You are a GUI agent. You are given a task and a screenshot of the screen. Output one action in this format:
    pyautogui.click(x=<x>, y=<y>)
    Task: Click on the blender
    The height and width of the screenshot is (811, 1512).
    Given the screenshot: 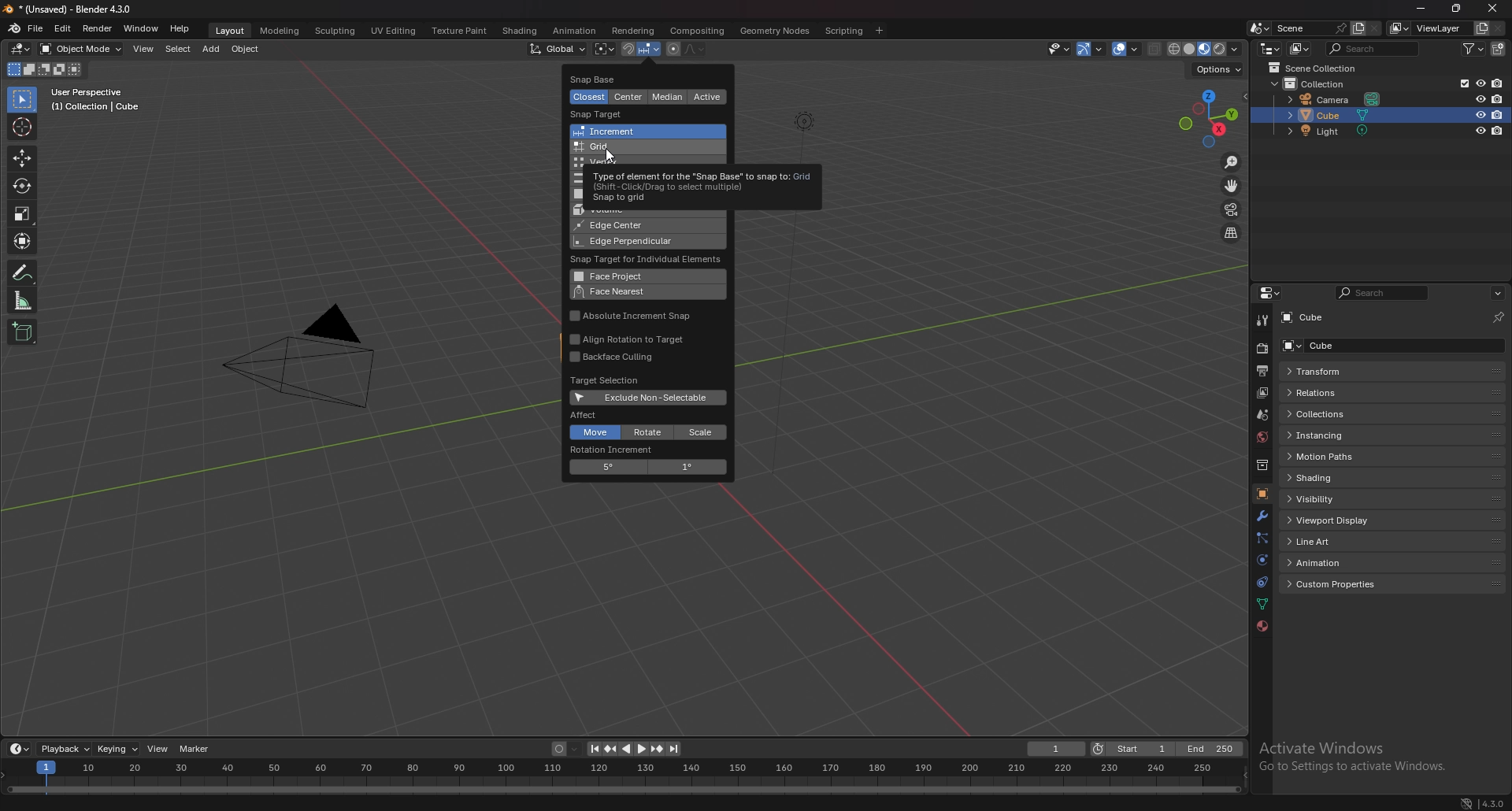 What is the action you would take?
    pyautogui.click(x=15, y=28)
    